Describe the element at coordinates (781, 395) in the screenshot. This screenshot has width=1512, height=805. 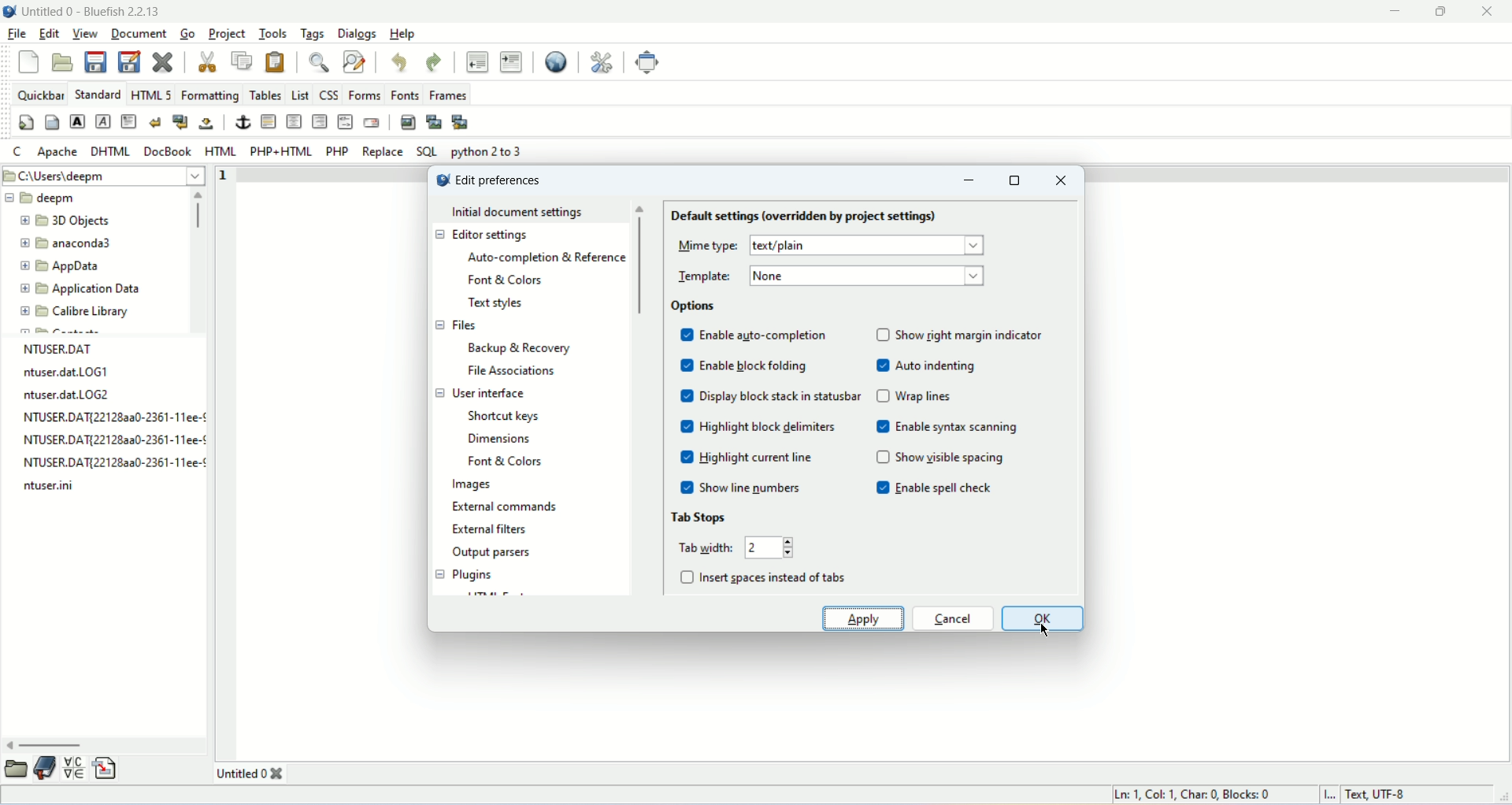
I see `display blocks` at that location.